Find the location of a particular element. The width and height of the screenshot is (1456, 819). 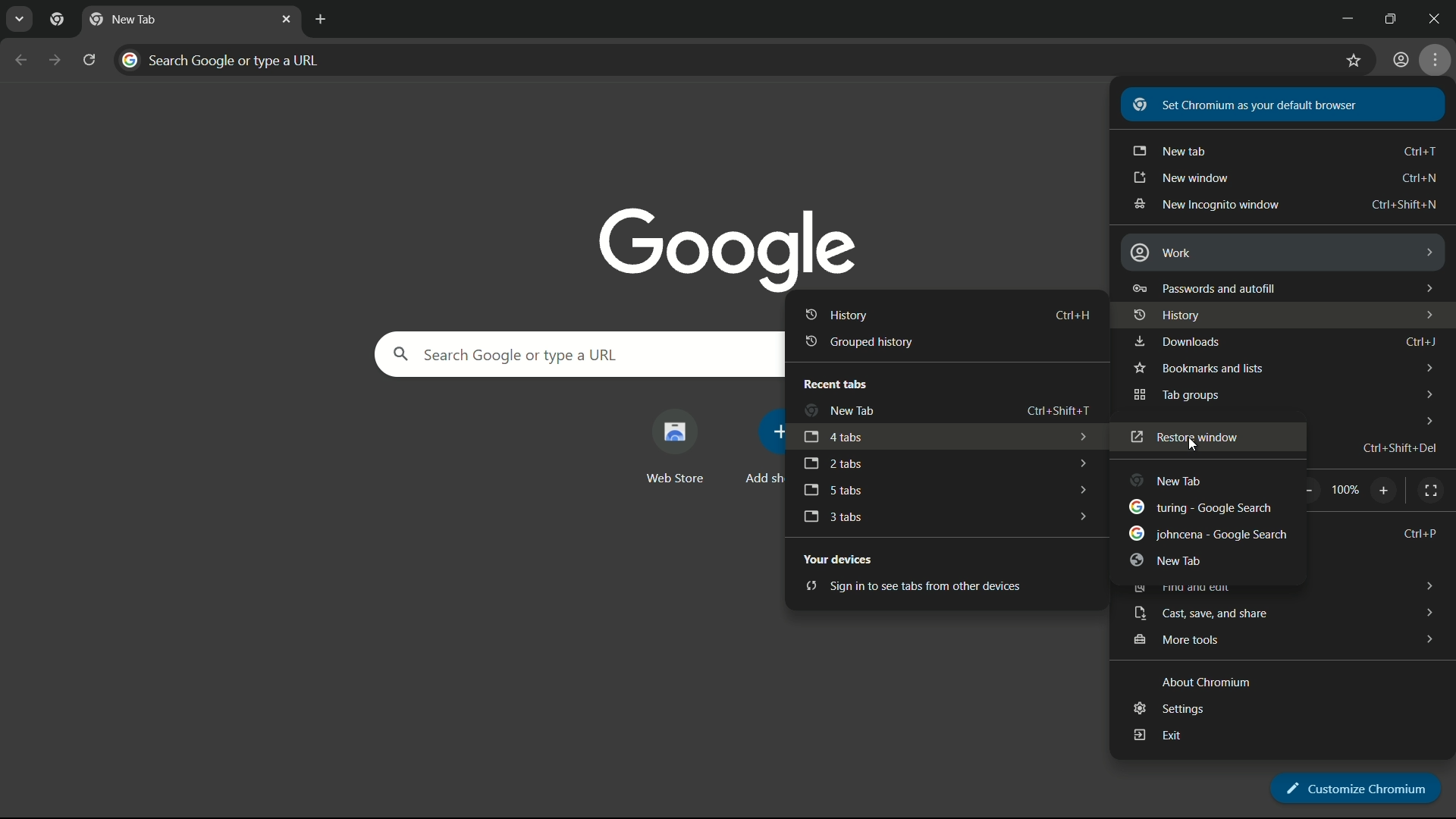

history is located at coordinates (835, 314).